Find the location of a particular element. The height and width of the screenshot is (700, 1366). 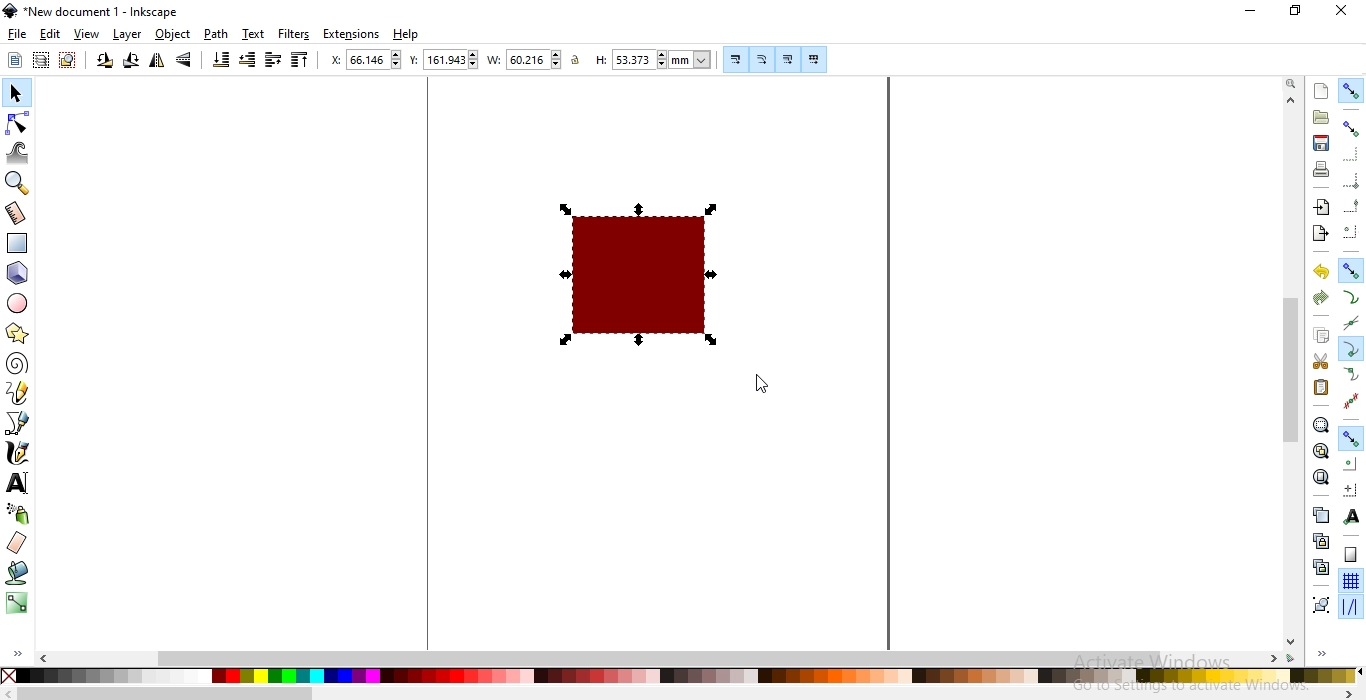

tweak objects by sculpting or painting is located at coordinates (20, 152).